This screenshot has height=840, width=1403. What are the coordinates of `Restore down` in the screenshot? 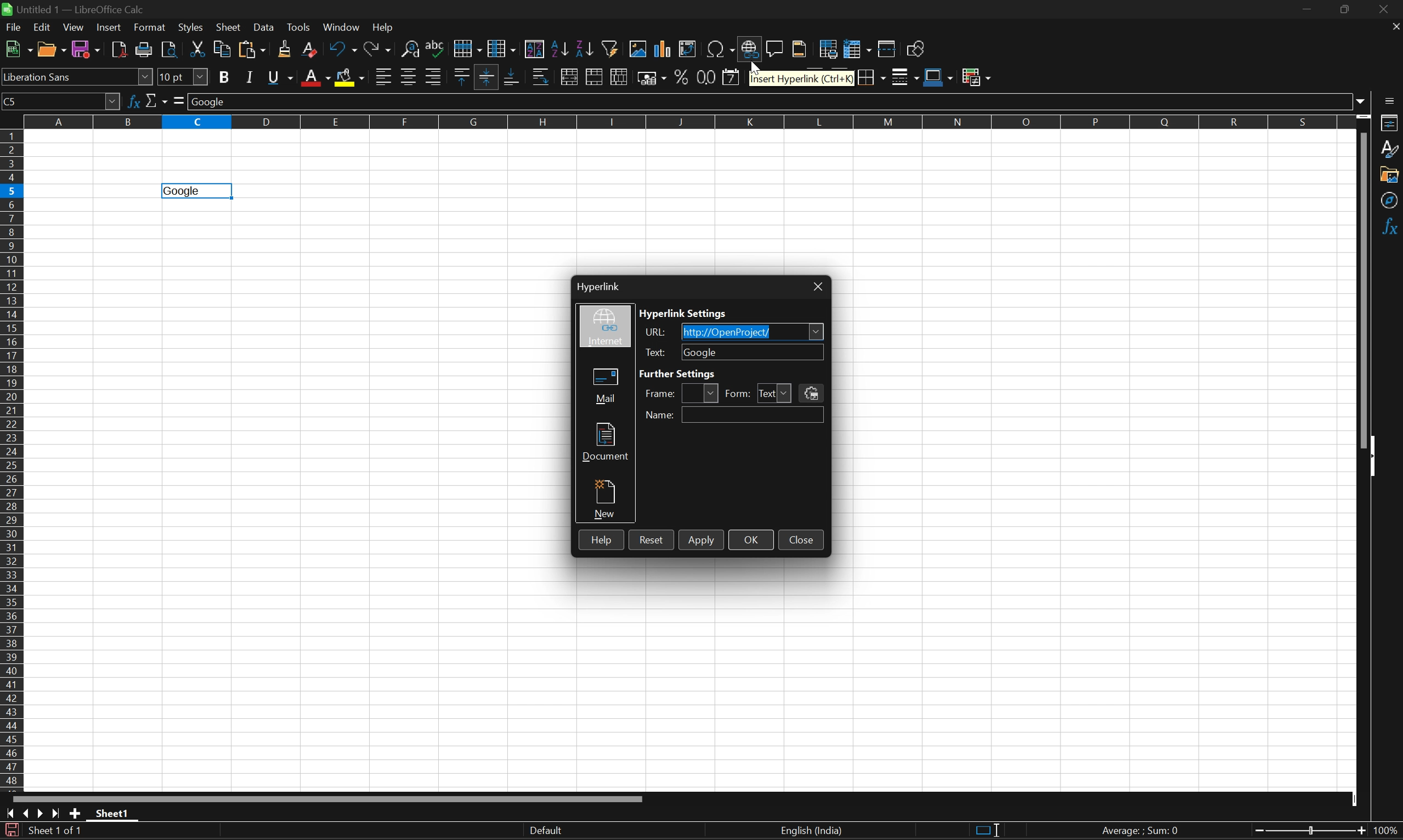 It's located at (1345, 11).